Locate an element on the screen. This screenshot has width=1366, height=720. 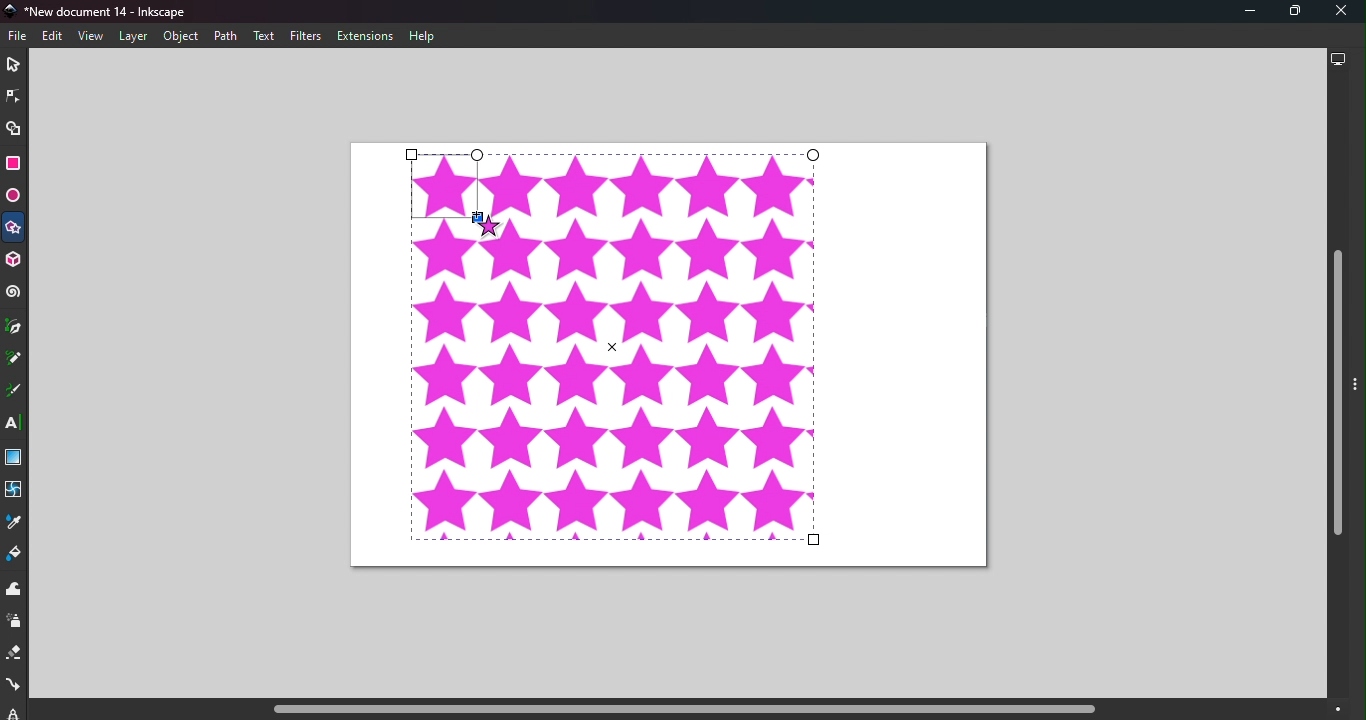
Tweak tool is located at coordinates (17, 590).